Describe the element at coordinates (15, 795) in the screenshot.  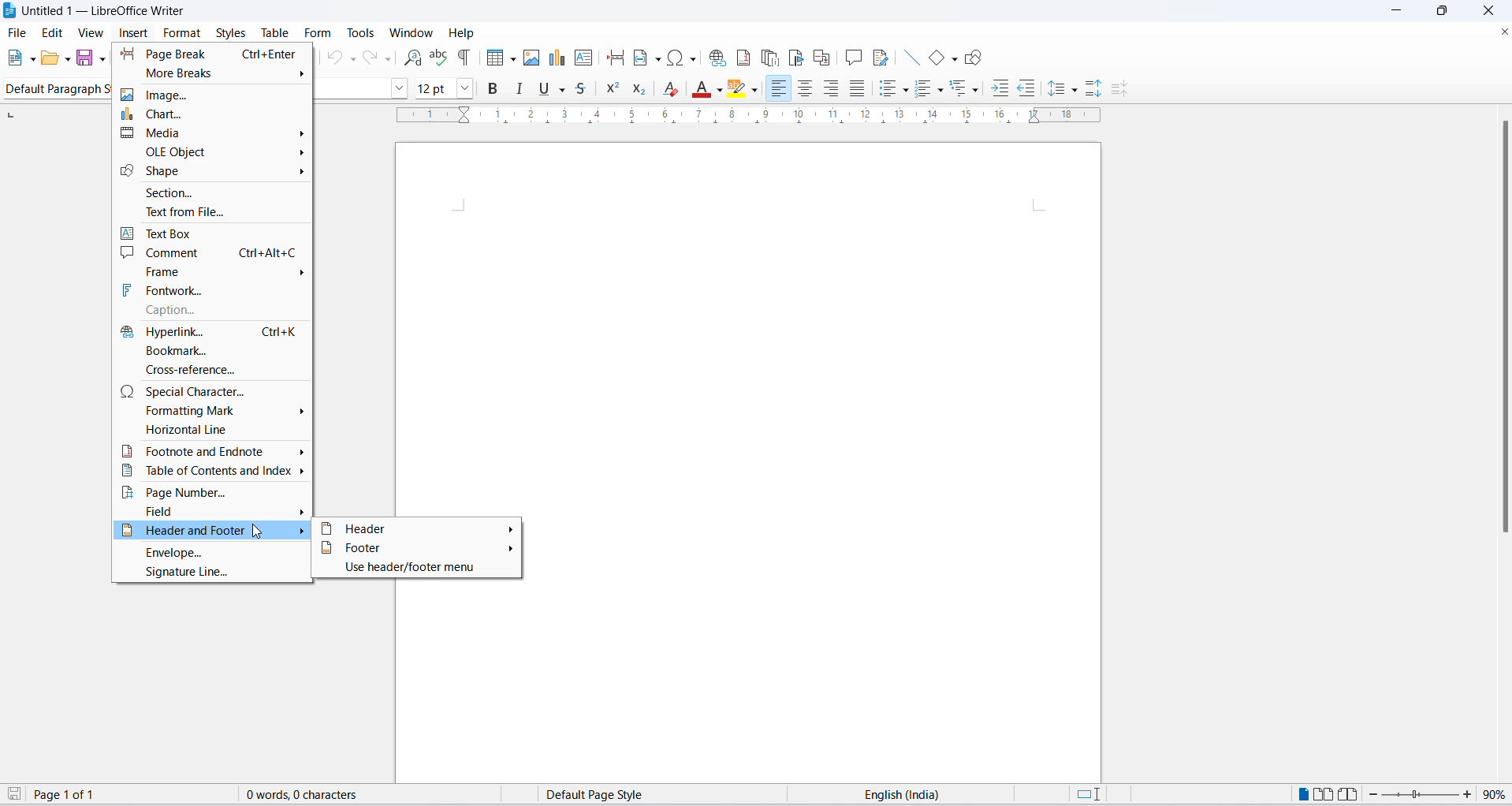
I see `save` at that location.